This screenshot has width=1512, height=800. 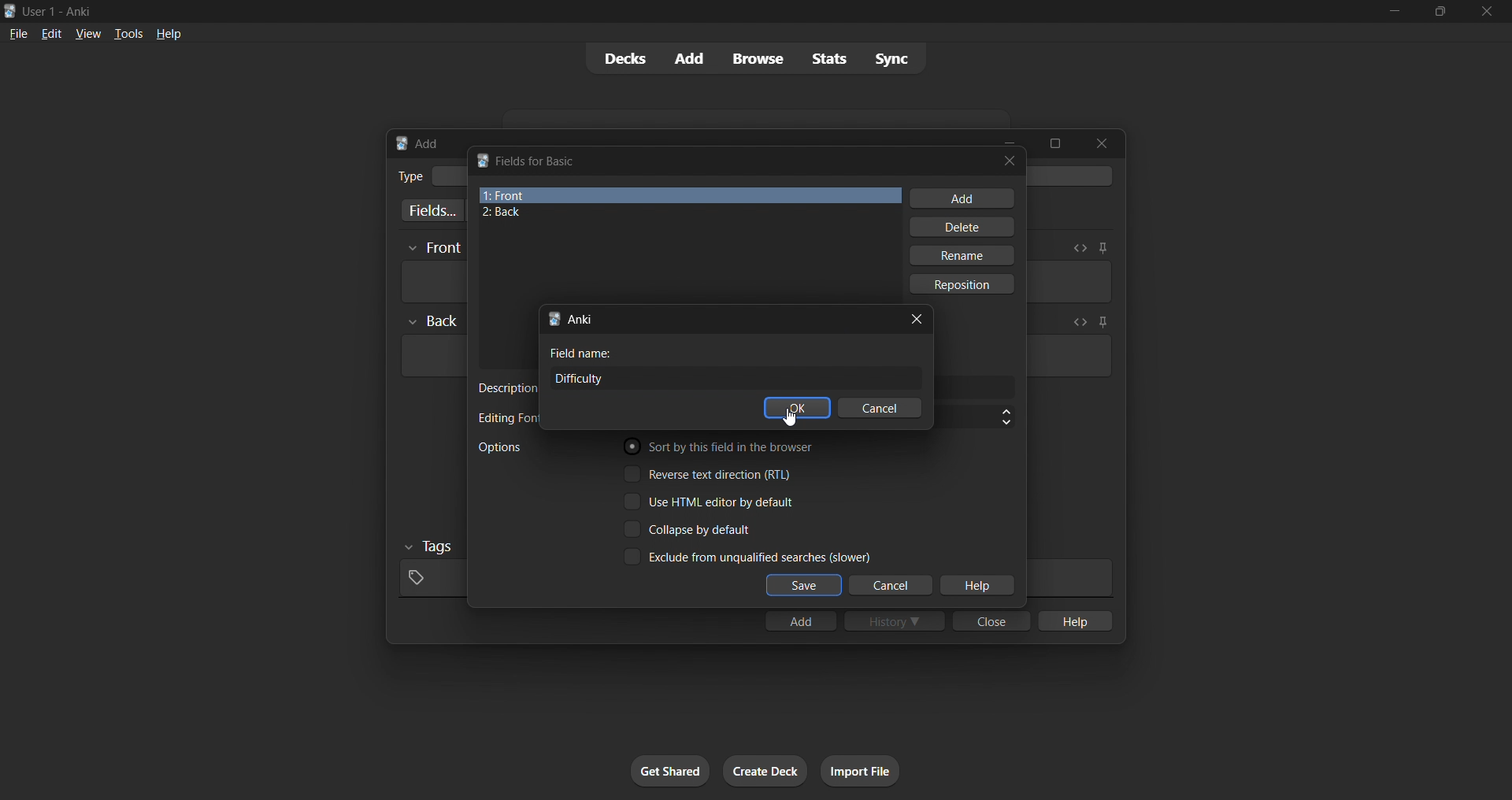 What do you see at coordinates (1100, 324) in the screenshot?
I see `Toggle sticky` at bounding box center [1100, 324].